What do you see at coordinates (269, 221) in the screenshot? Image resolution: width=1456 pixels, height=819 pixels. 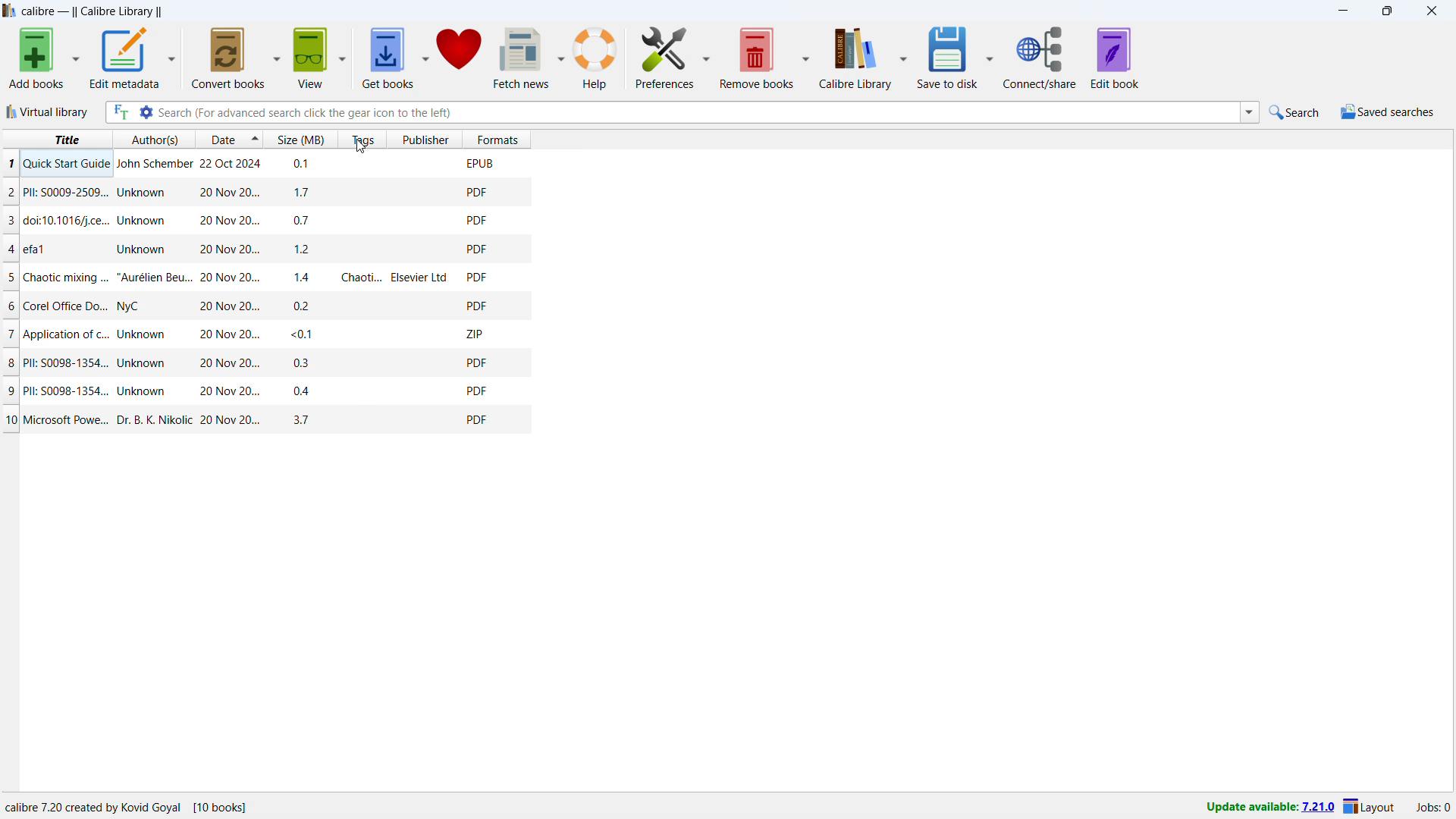 I see `> aor10.1016/).ce... Unknown <U Nov ZU... u.r POF` at bounding box center [269, 221].